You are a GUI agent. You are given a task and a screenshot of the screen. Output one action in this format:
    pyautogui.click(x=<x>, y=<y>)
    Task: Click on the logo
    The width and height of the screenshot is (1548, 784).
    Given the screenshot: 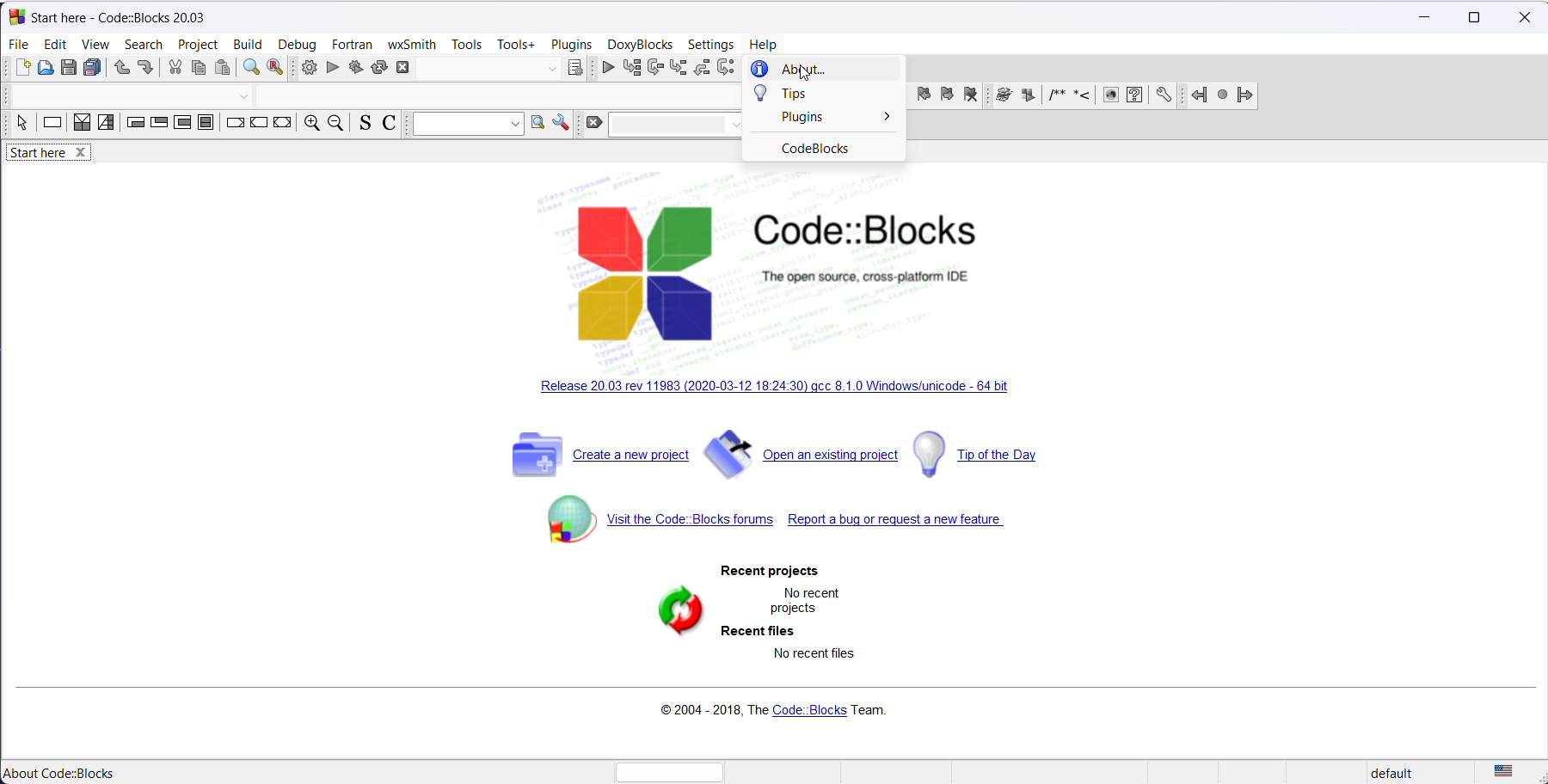 What is the action you would take?
    pyautogui.click(x=786, y=274)
    